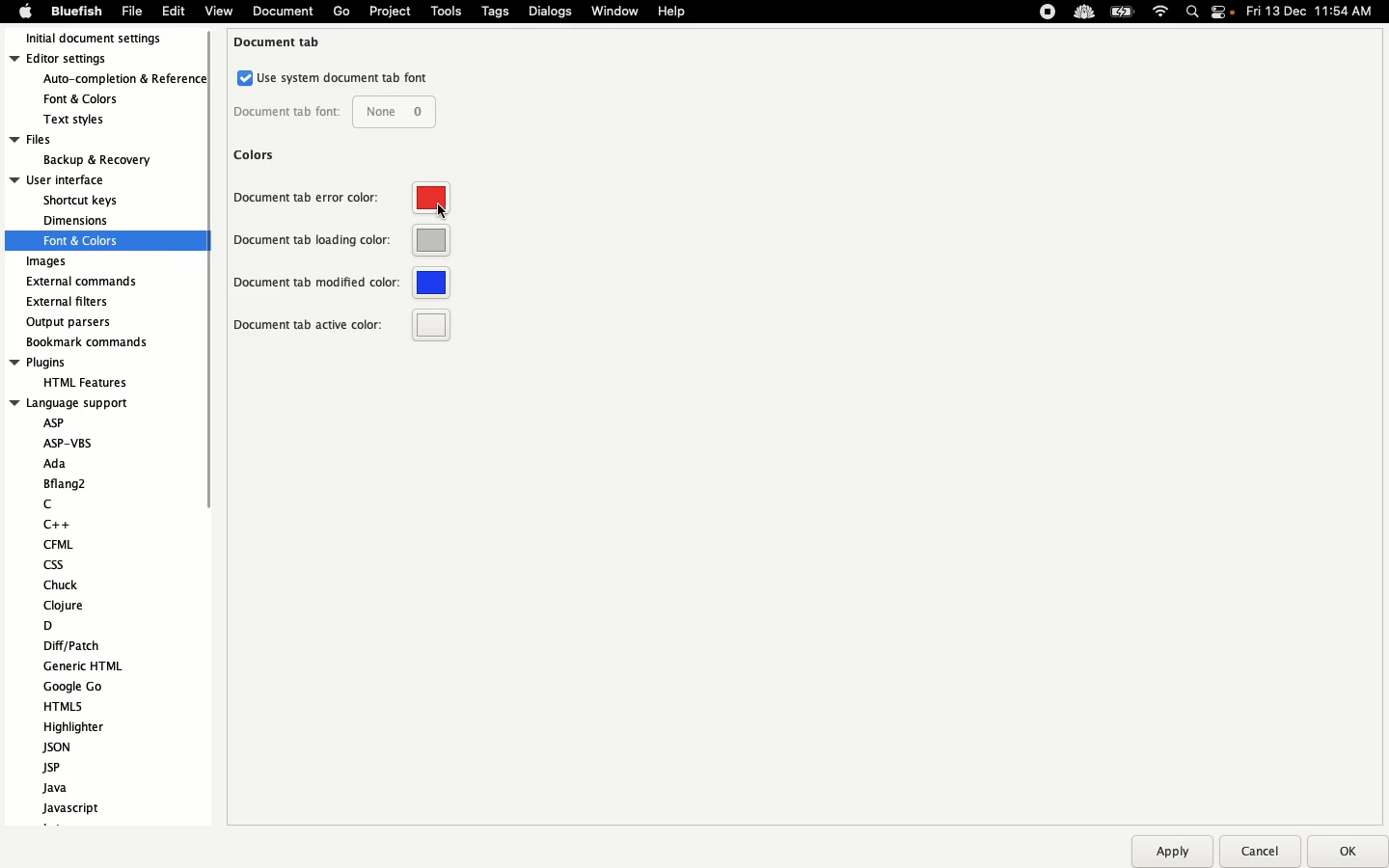 This screenshot has height=868, width=1389. I want to click on Bluefish, so click(73, 12).